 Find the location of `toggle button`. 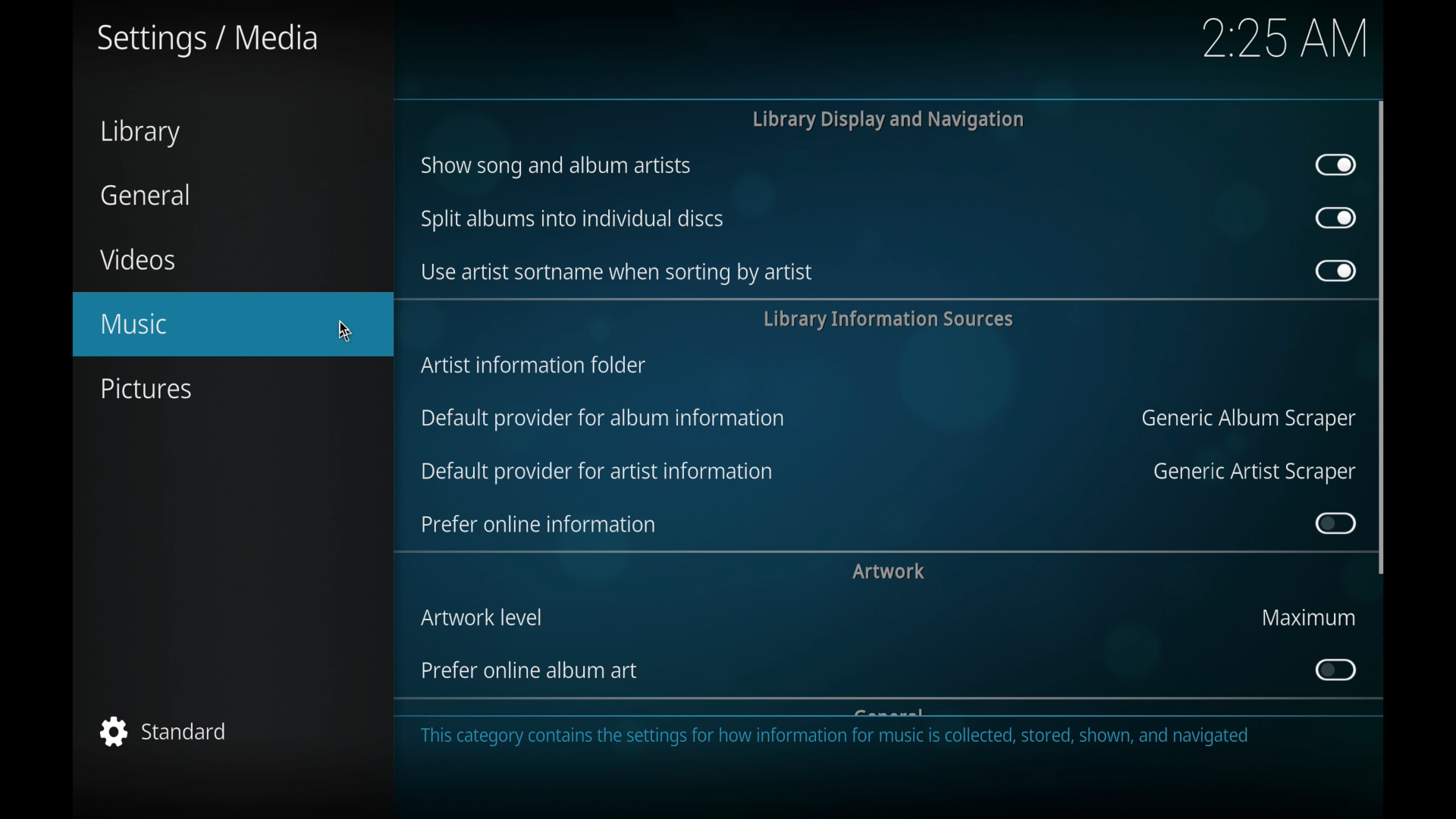

toggle button is located at coordinates (1336, 165).